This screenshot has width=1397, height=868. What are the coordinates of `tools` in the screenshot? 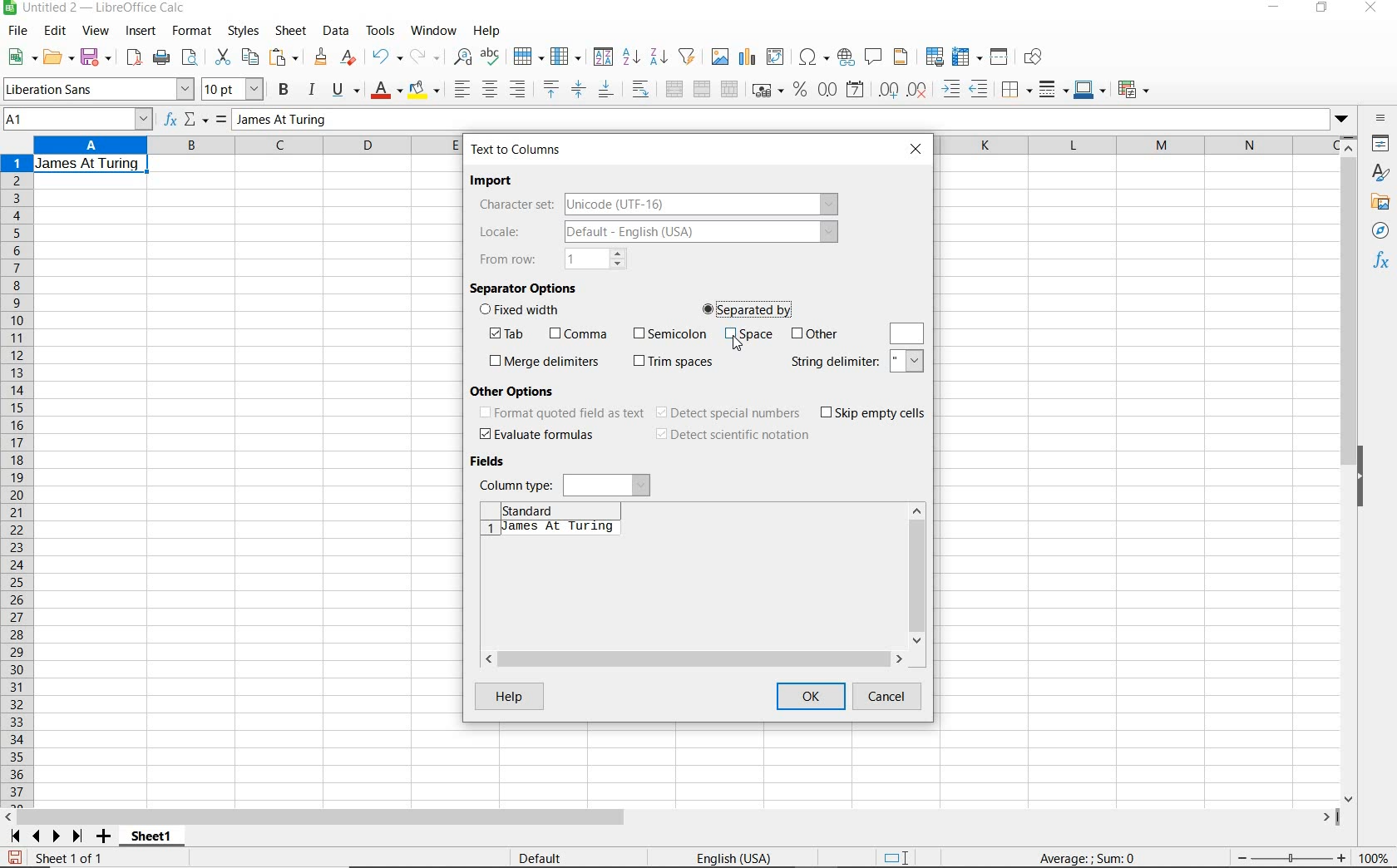 It's located at (381, 30).